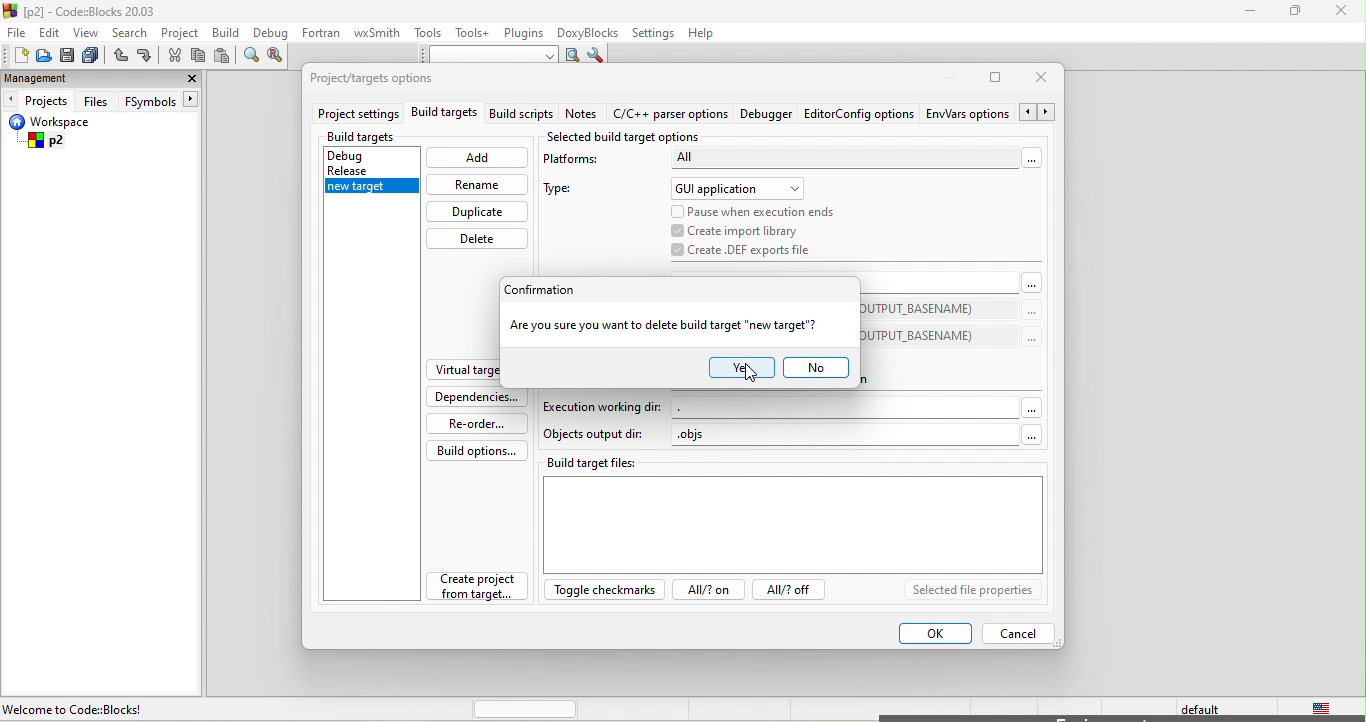 This screenshot has width=1366, height=722. What do you see at coordinates (584, 162) in the screenshot?
I see `platforms` at bounding box center [584, 162].